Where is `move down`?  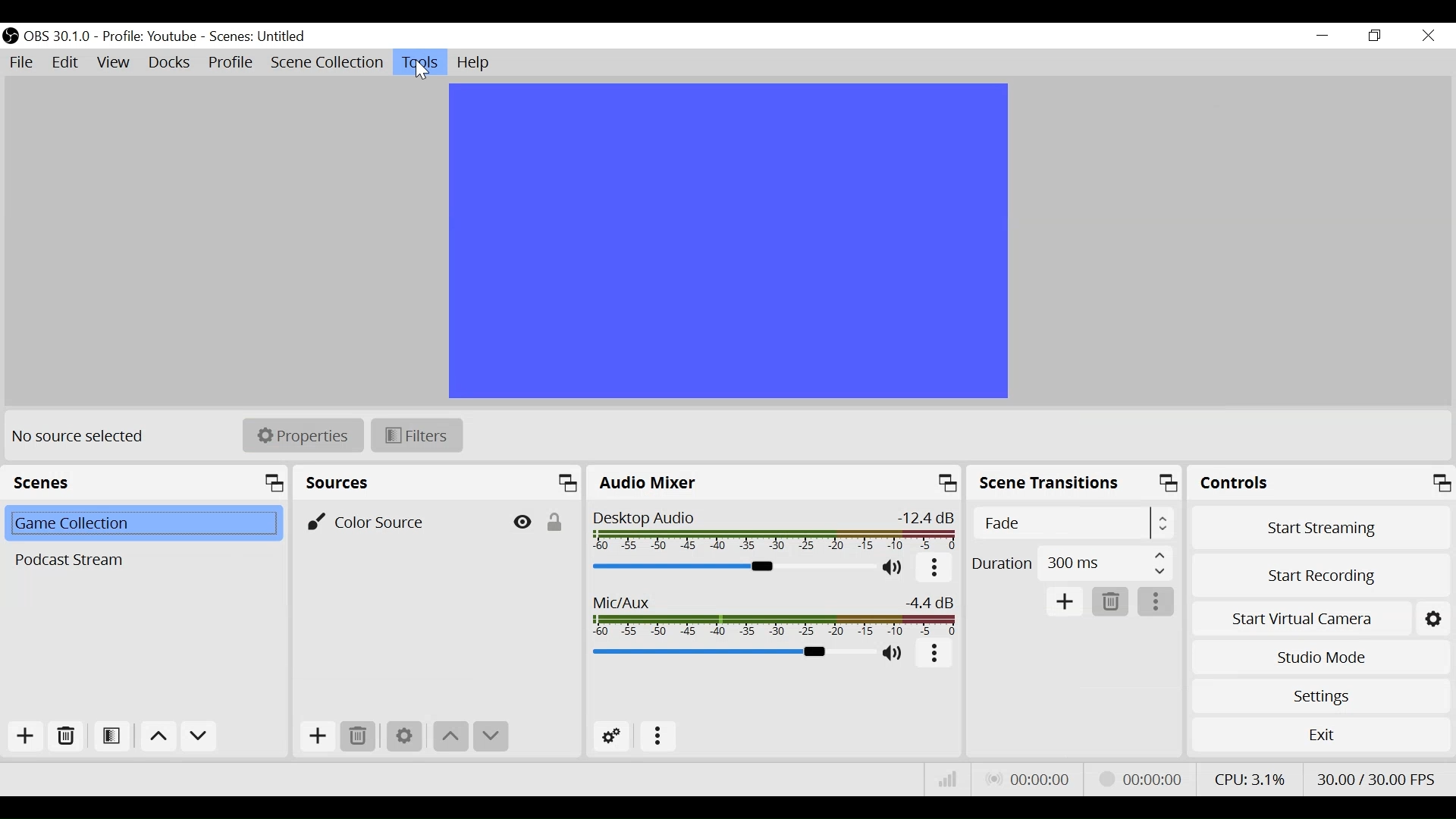 move down is located at coordinates (199, 737).